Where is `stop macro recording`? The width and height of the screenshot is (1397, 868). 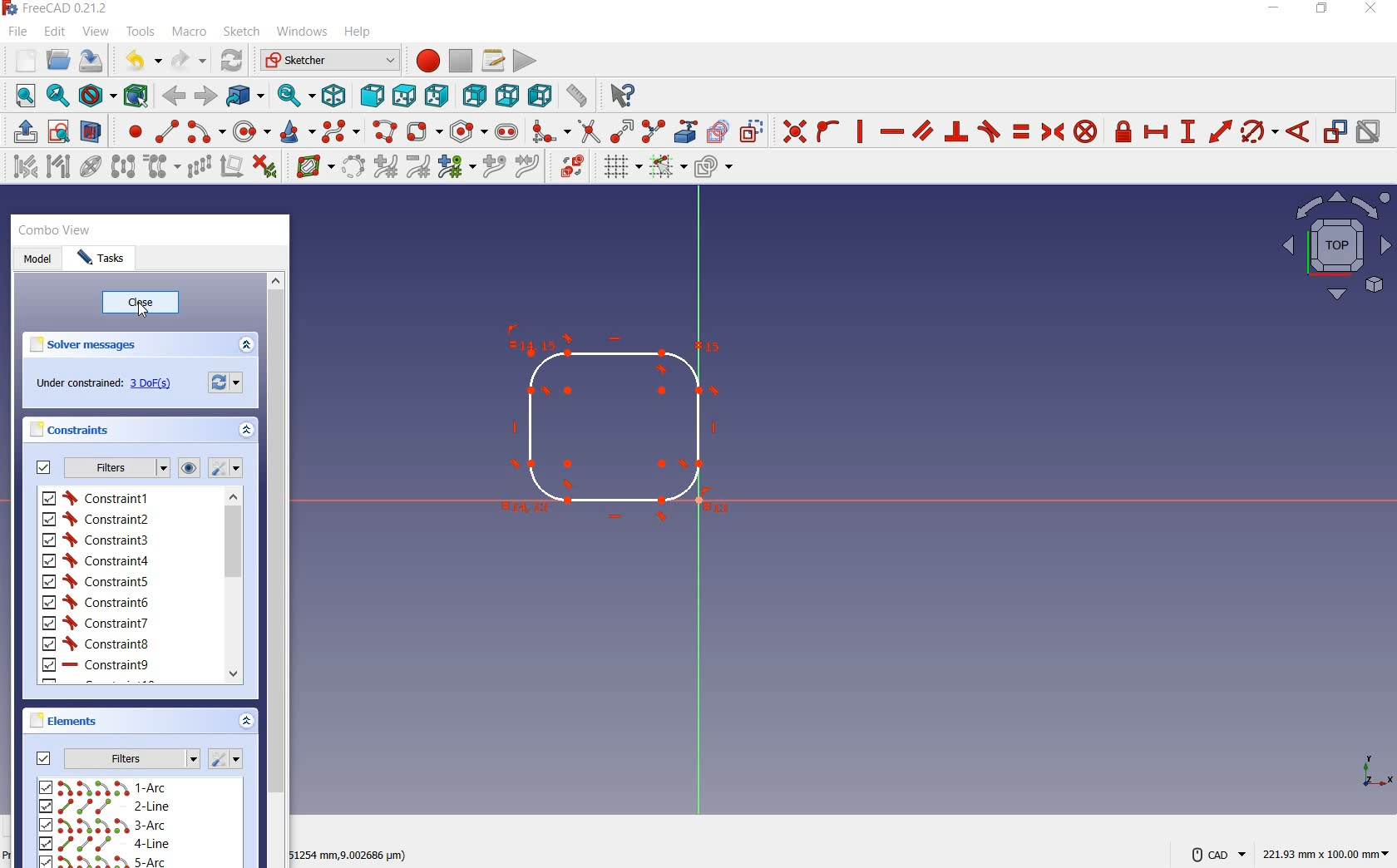 stop macro recording is located at coordinates (462, 61).